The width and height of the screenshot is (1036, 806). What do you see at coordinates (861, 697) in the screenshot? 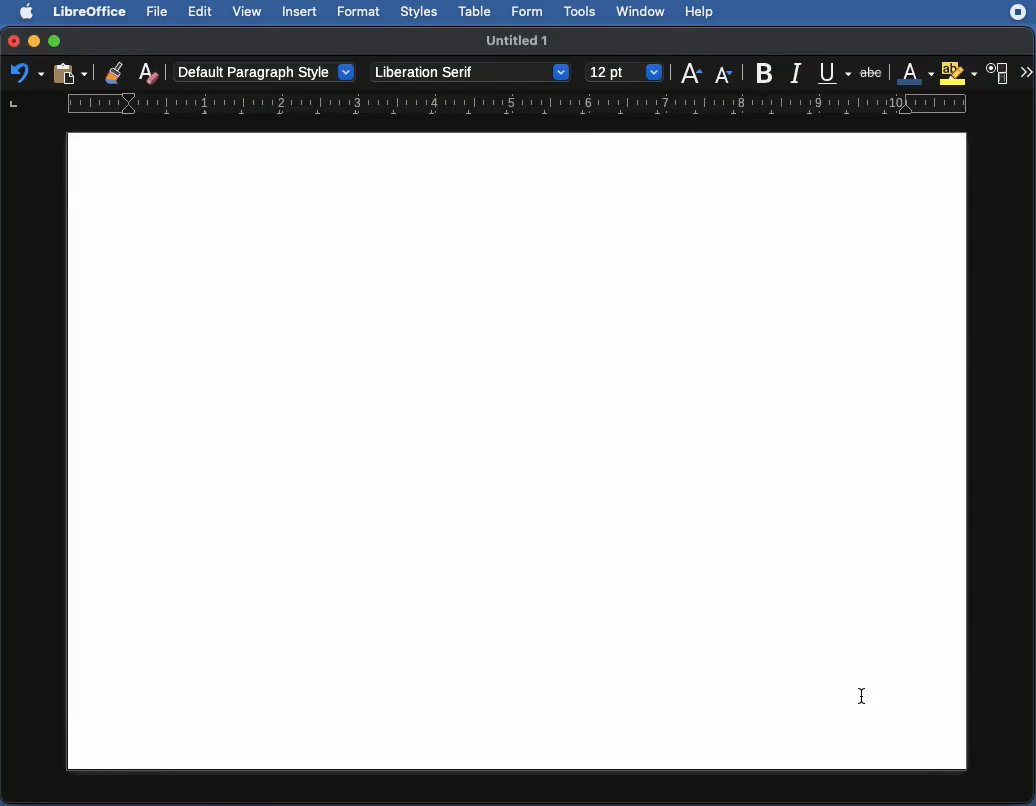
I see `cursor` at bounding box center [861, 697].